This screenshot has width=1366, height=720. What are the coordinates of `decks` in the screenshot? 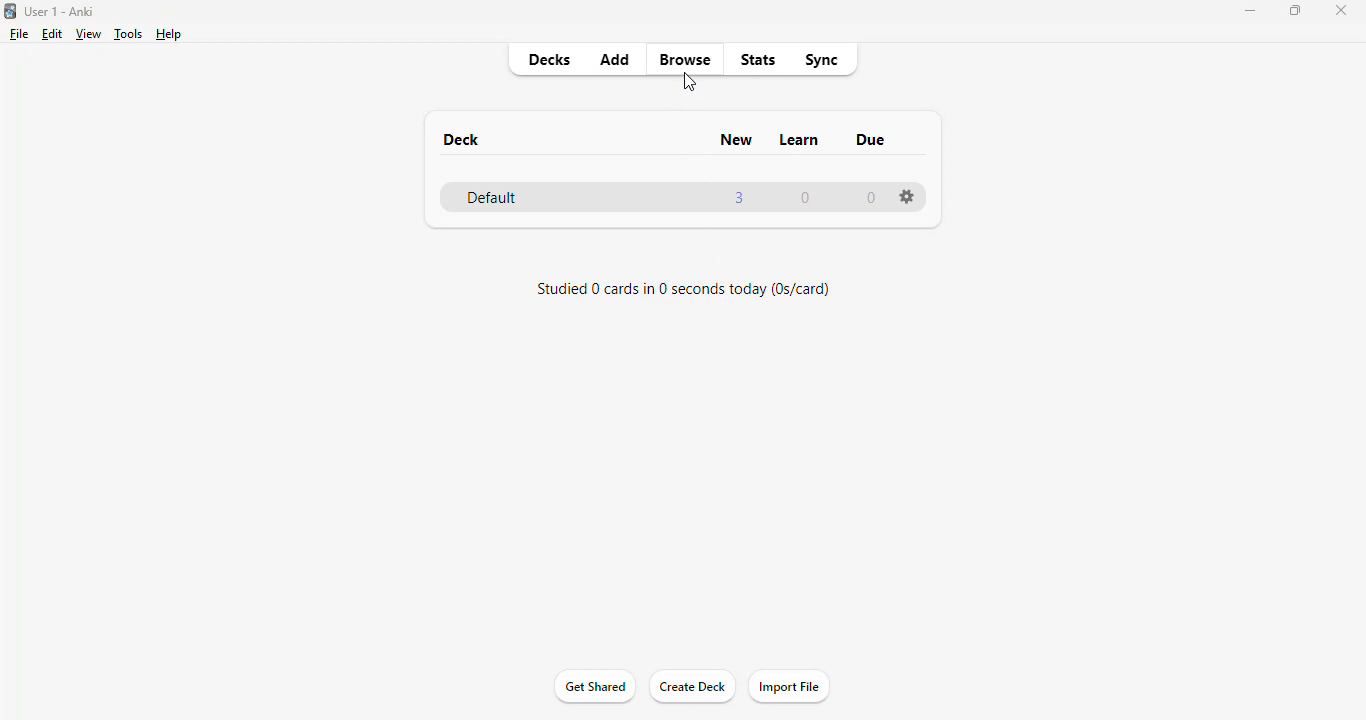 It's located at (548, 59).